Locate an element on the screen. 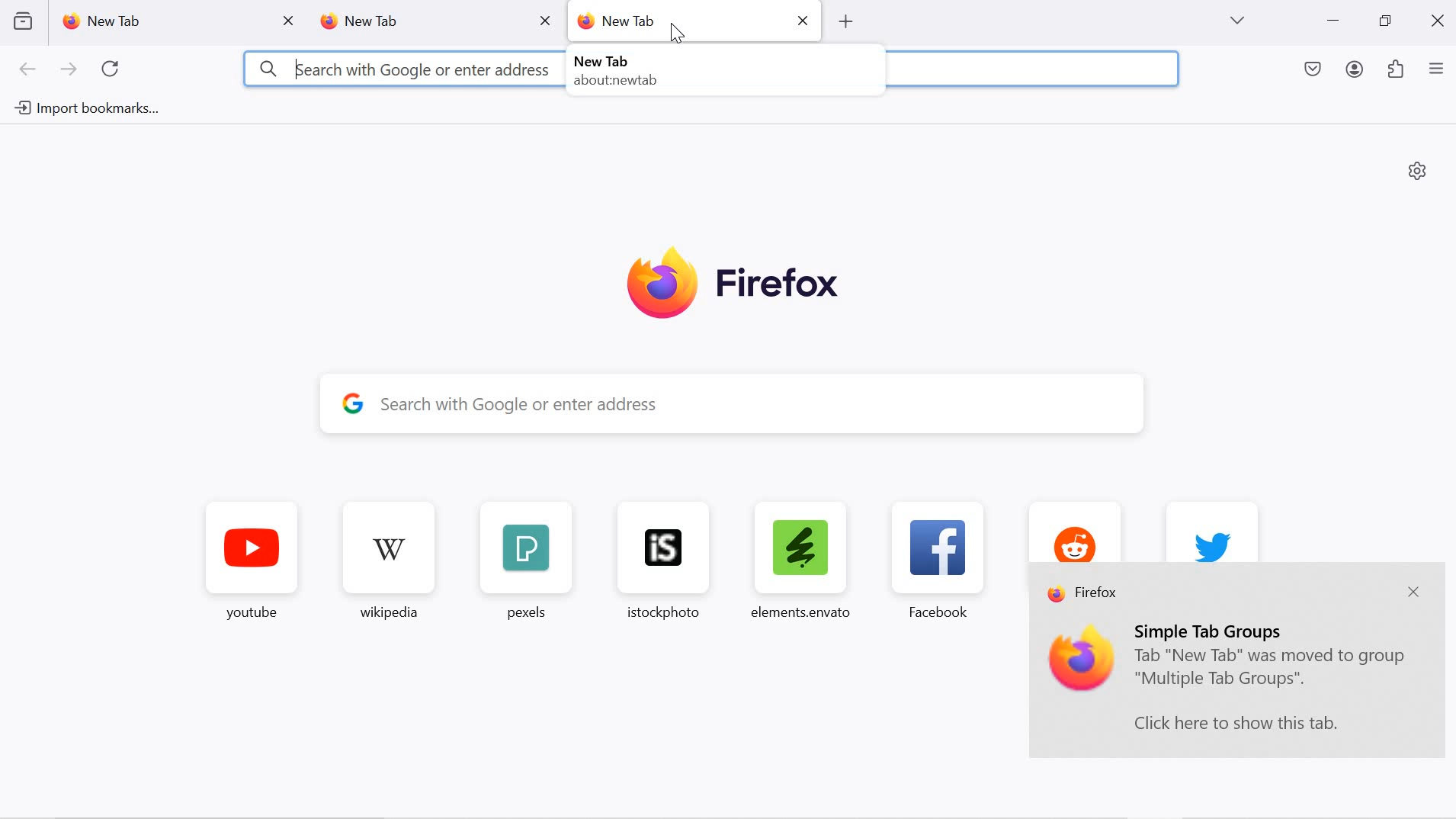 The width and height of the screenshot is (1456, 819). 3 kearch with Google or enter address is located at coordinates (404, 69).